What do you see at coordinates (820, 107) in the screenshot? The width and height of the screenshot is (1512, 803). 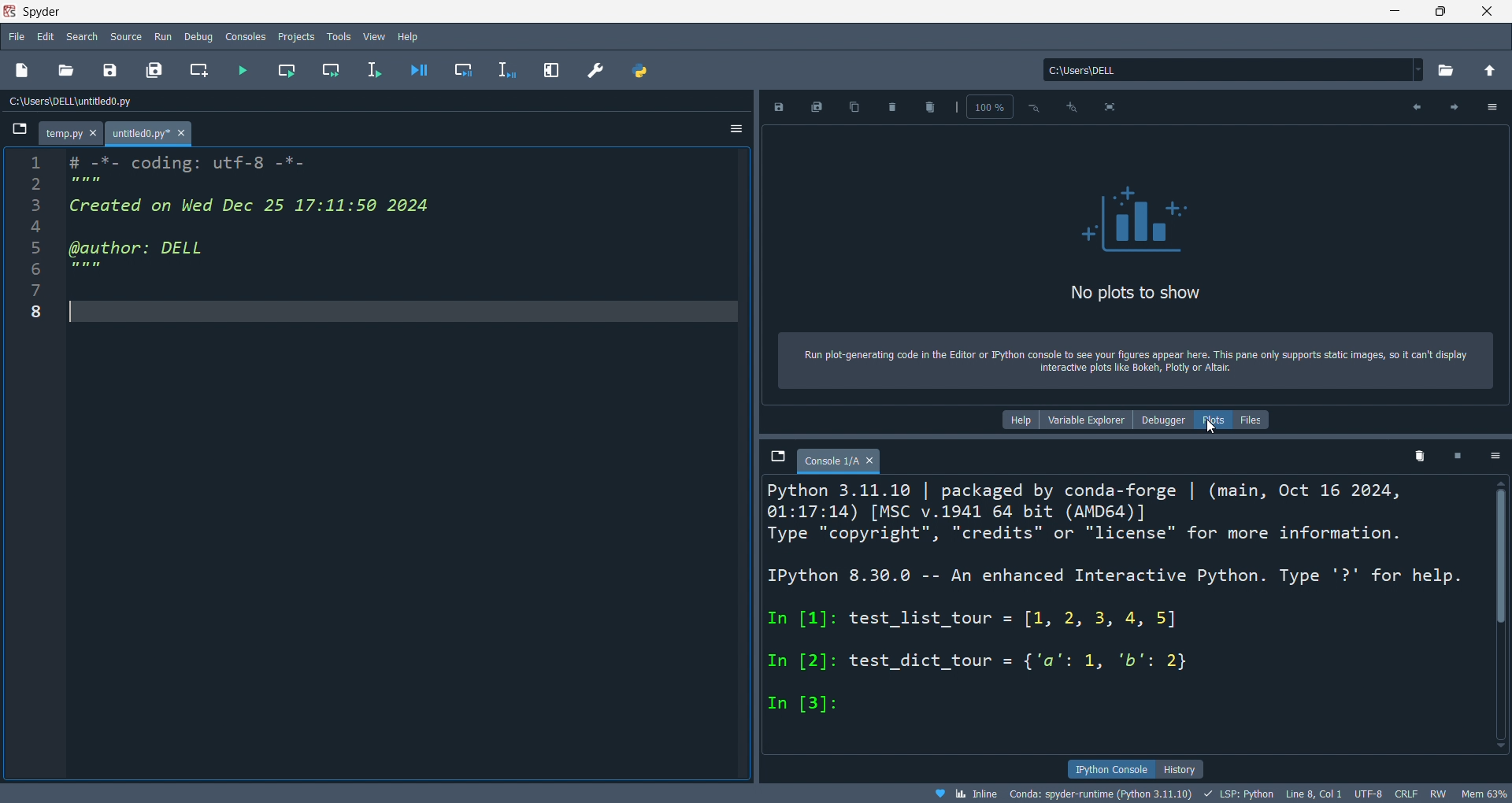 I see `save all` at bounding box center [820, 107].